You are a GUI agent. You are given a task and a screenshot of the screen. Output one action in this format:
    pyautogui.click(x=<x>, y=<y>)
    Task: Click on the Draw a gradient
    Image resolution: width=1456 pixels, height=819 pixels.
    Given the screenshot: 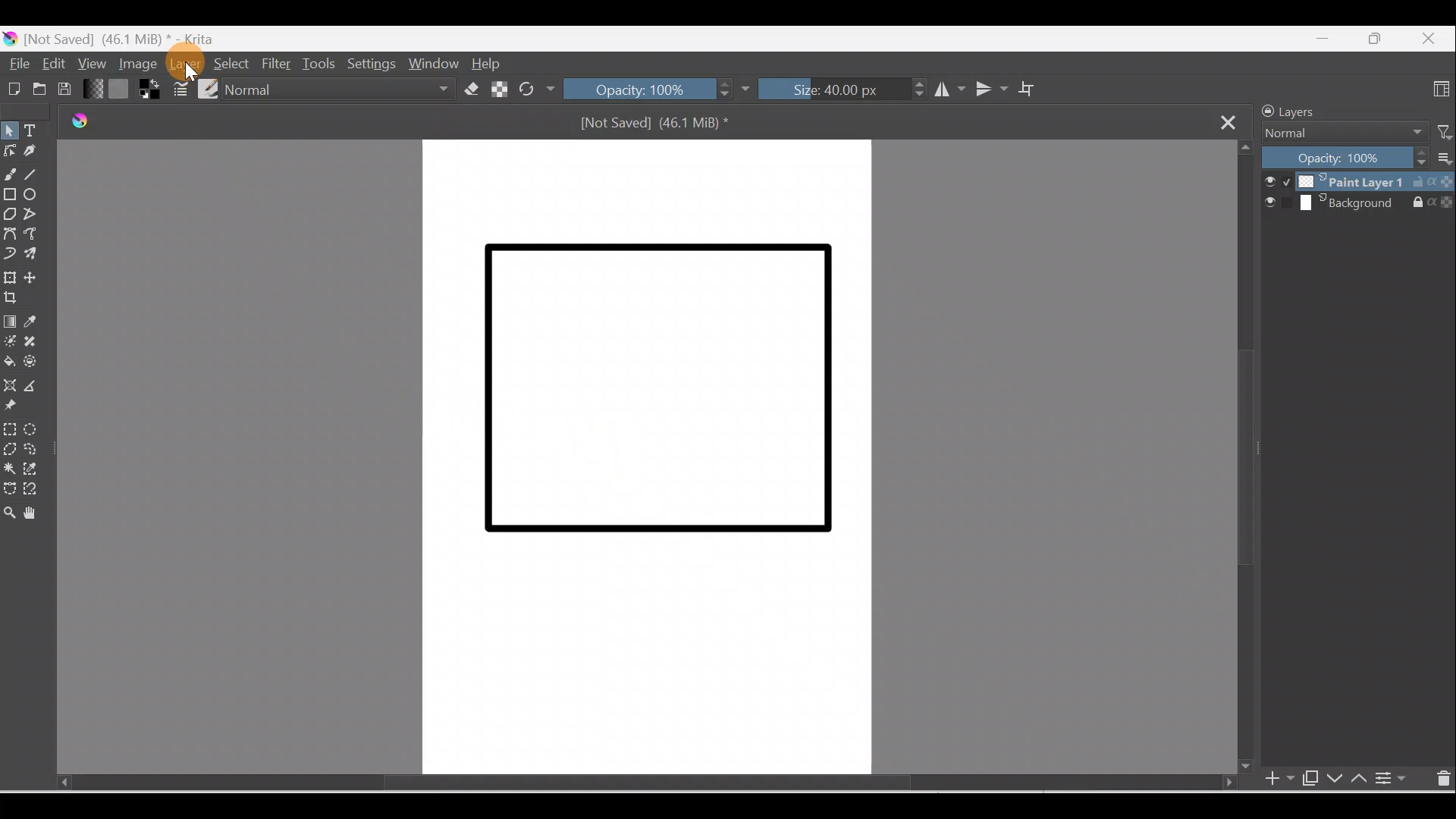 What is the action you would take?
    pyautogui.click(x=11, y=322)
    